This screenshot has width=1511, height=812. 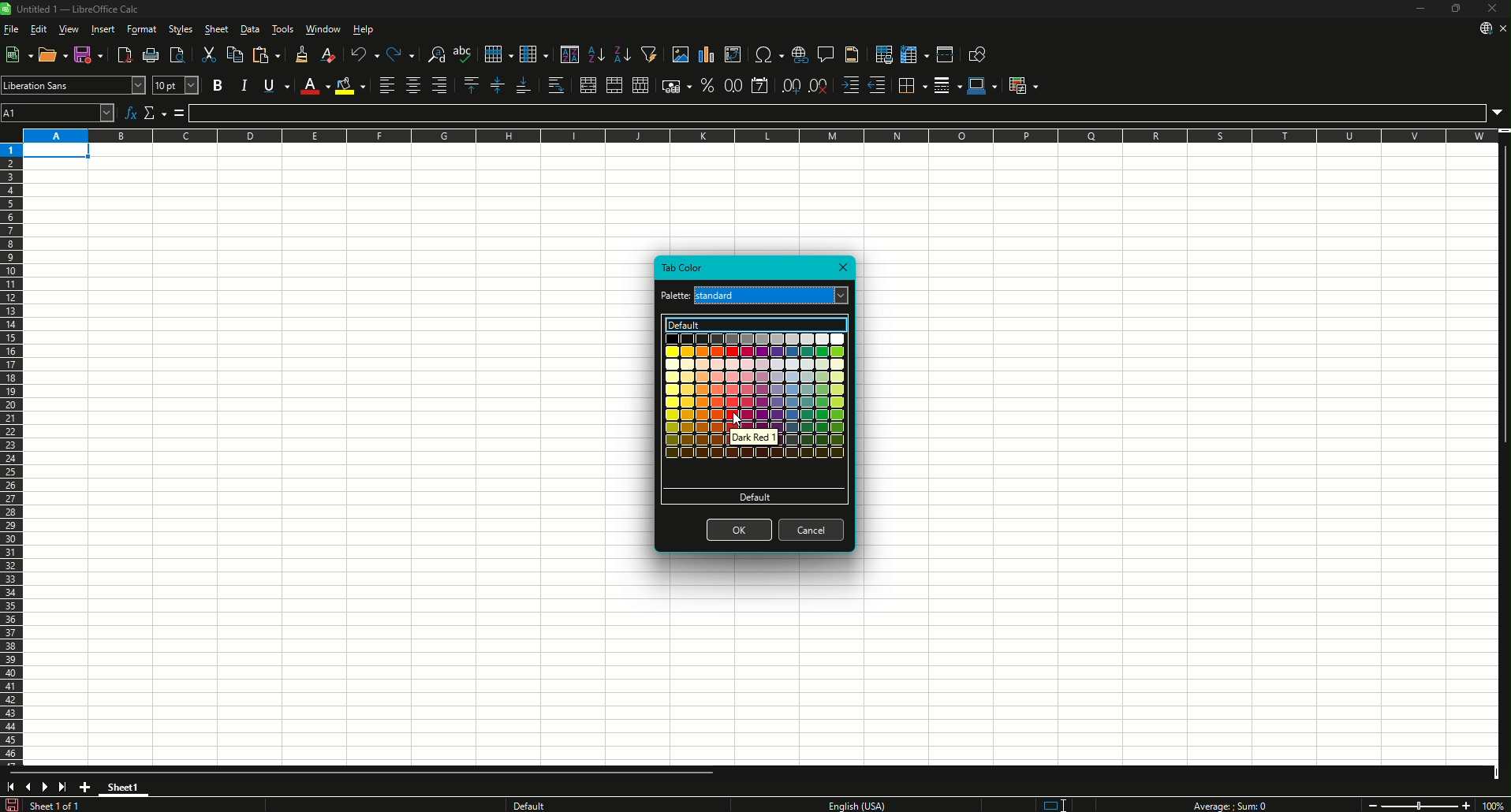 I want to click on Print, so click(x=151, y=54).